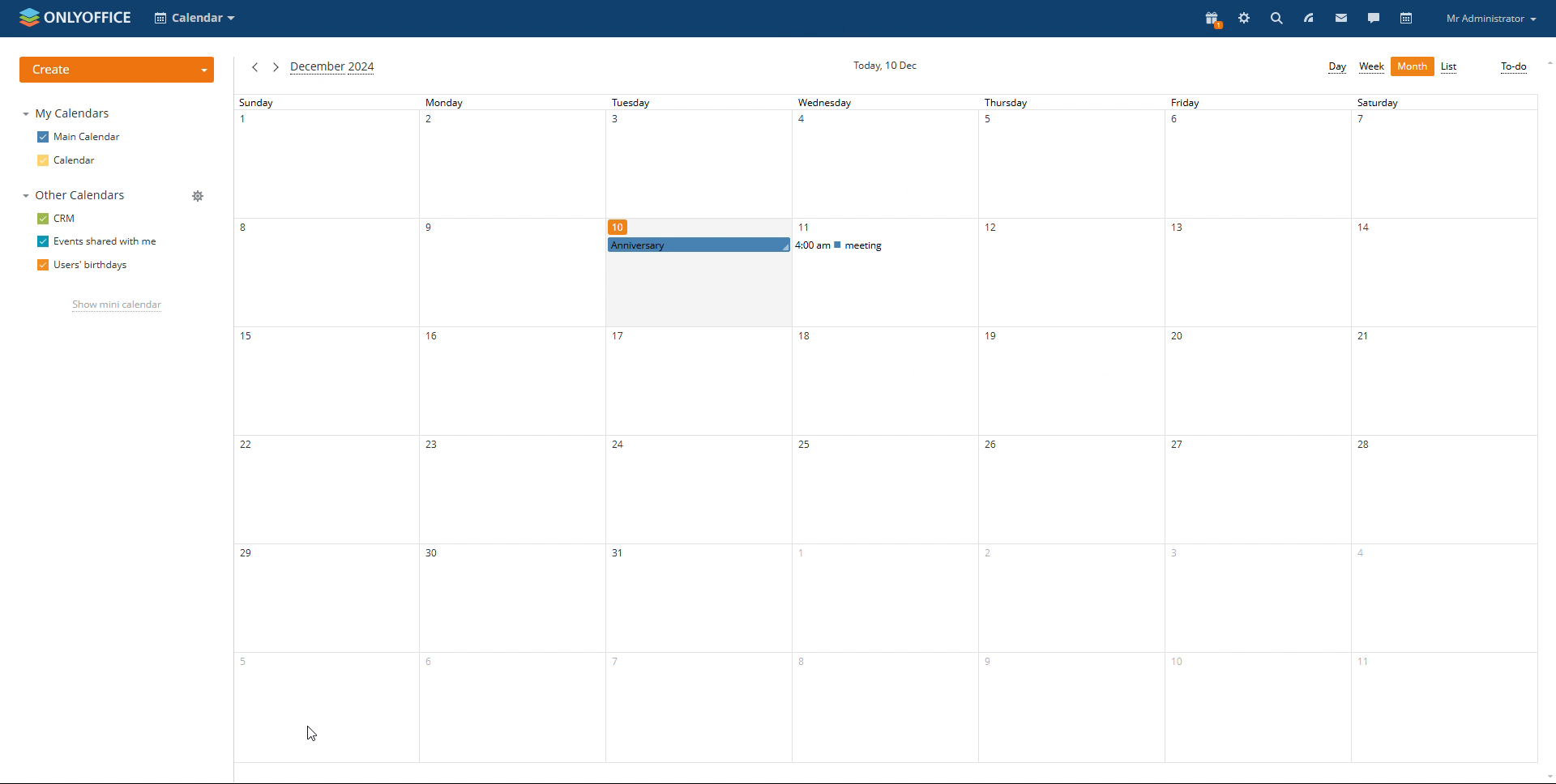  What do you see at coordinates (700, 165) in the screenshot?
I see `tuesday` at bounding box center [700, 165].